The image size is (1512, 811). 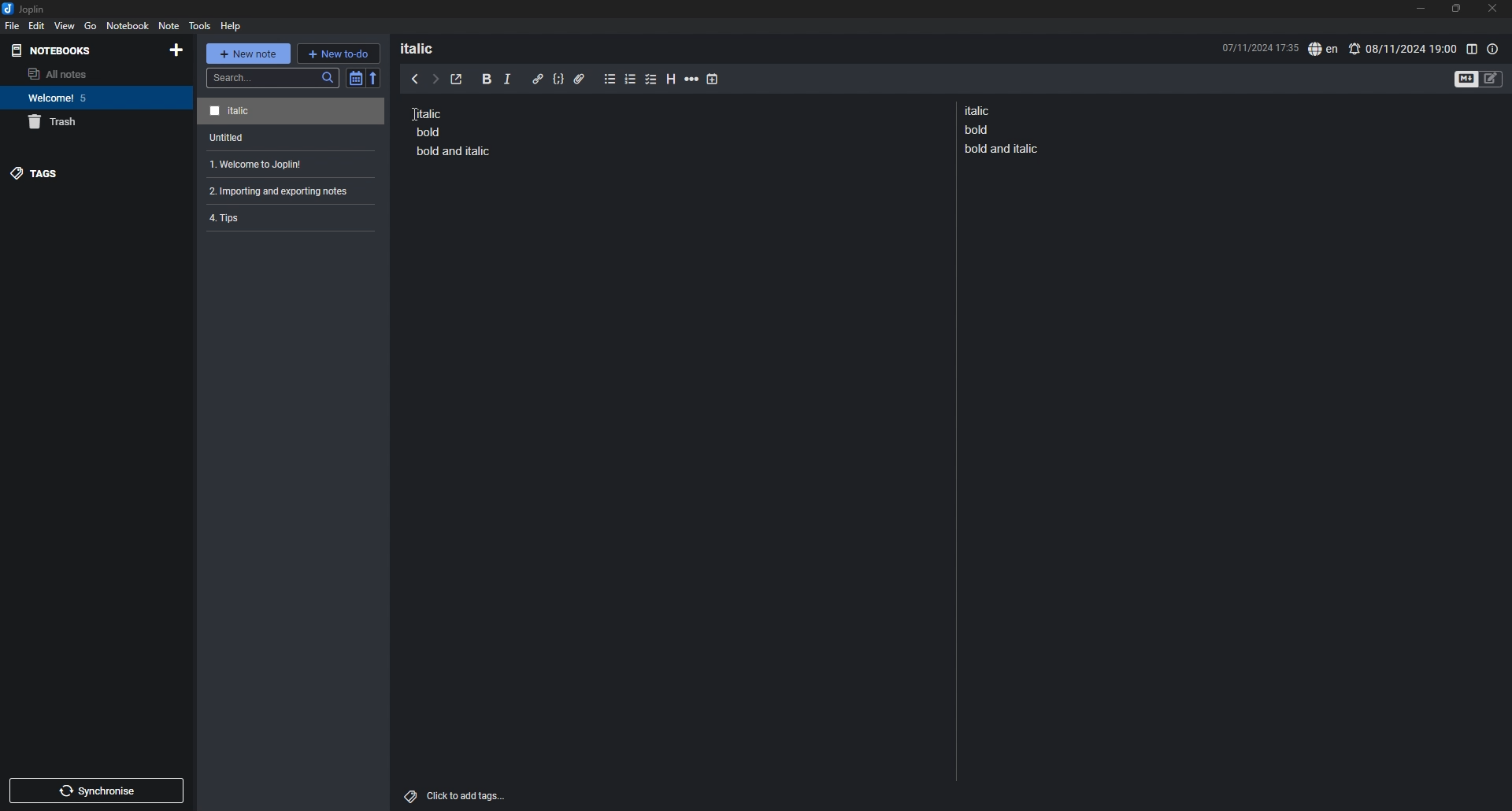 I want to click on note, so click(x=291, y=112).